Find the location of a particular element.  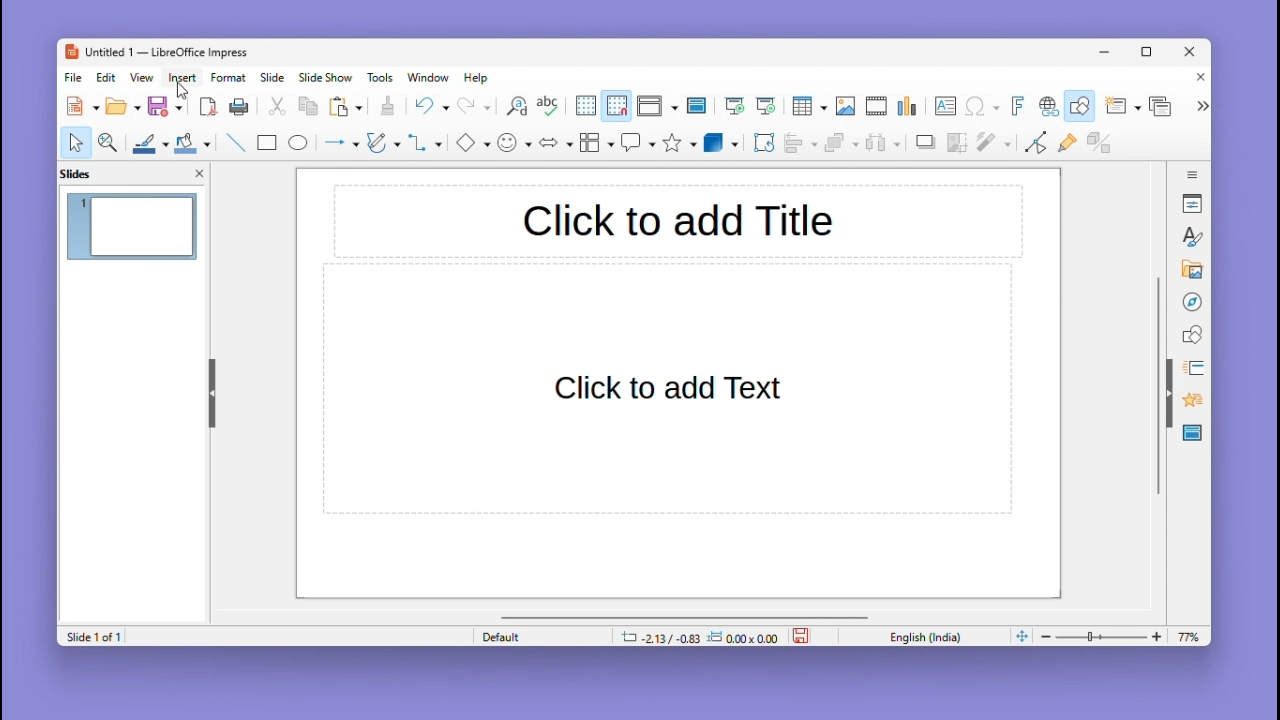

Selection tool is located at coordinates (75, 142).